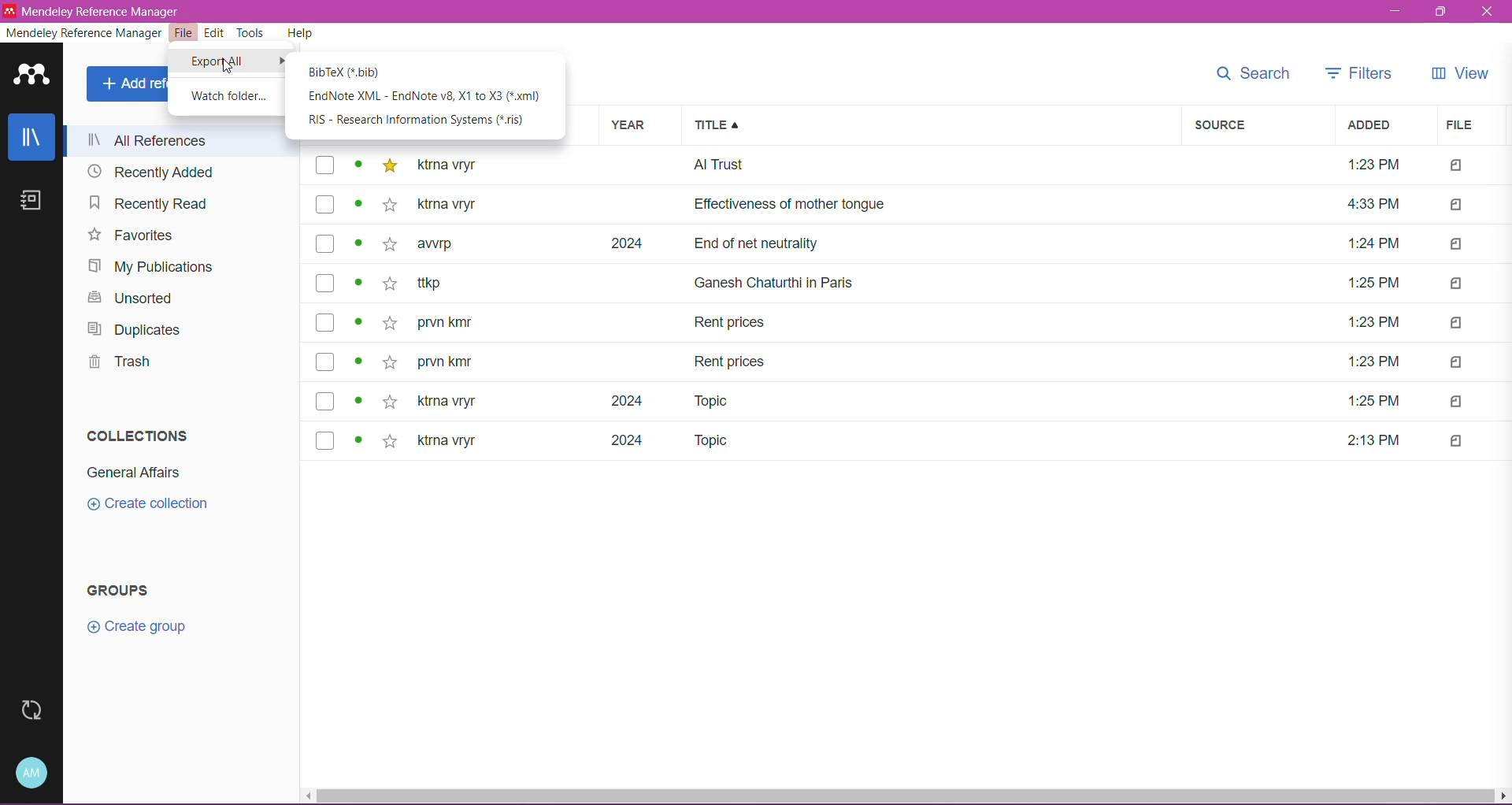 The image size is (1512, 805). What do you see at coordinates (128, 299) in the screenshot?
I see `Unsorted` at bounding box center [128, 299].